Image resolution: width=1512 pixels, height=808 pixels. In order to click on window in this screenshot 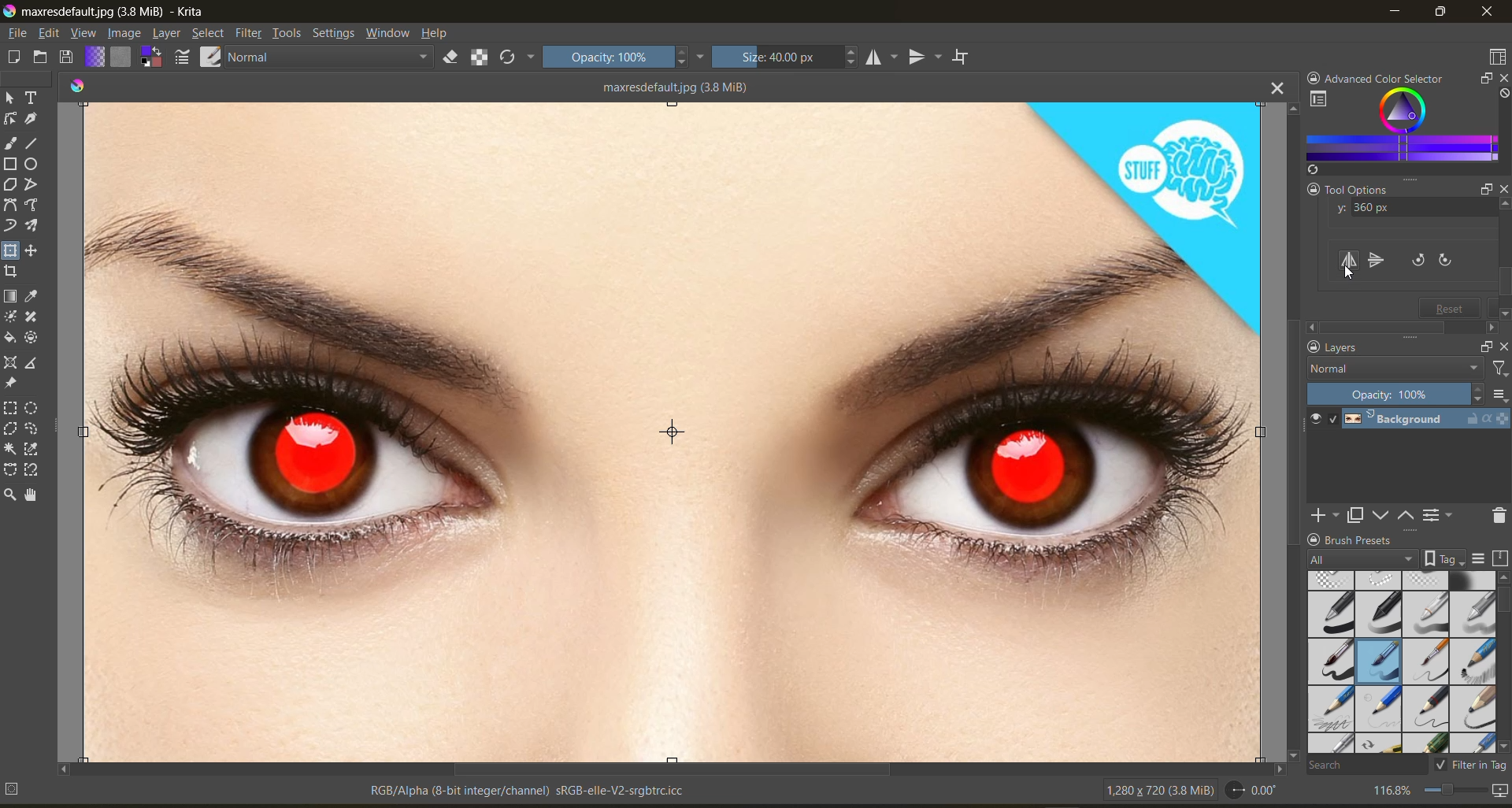, I will do `click(391, 35)`.